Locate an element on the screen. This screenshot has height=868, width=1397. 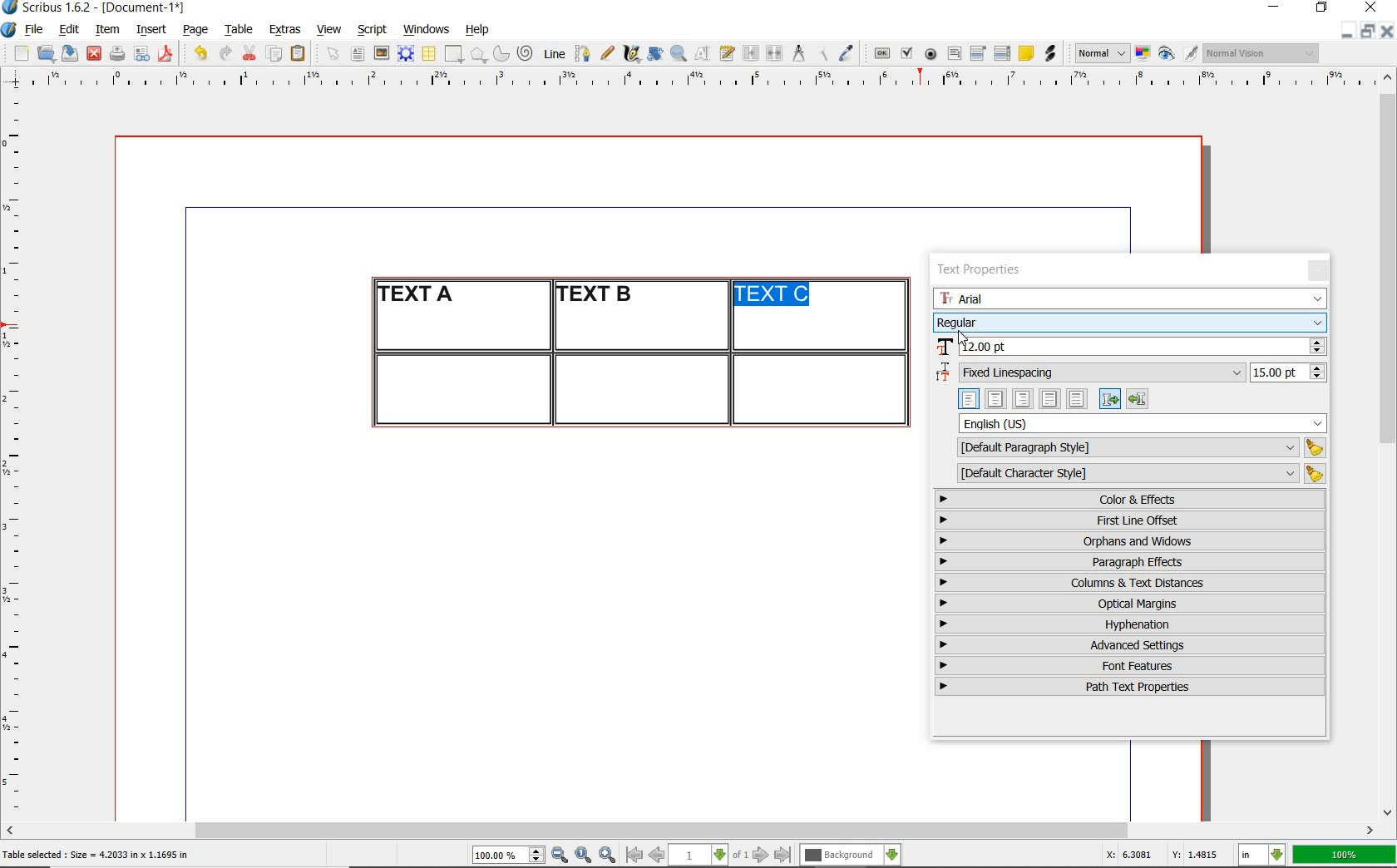
visual appearance of the display is located at coordinates (1262, 53).